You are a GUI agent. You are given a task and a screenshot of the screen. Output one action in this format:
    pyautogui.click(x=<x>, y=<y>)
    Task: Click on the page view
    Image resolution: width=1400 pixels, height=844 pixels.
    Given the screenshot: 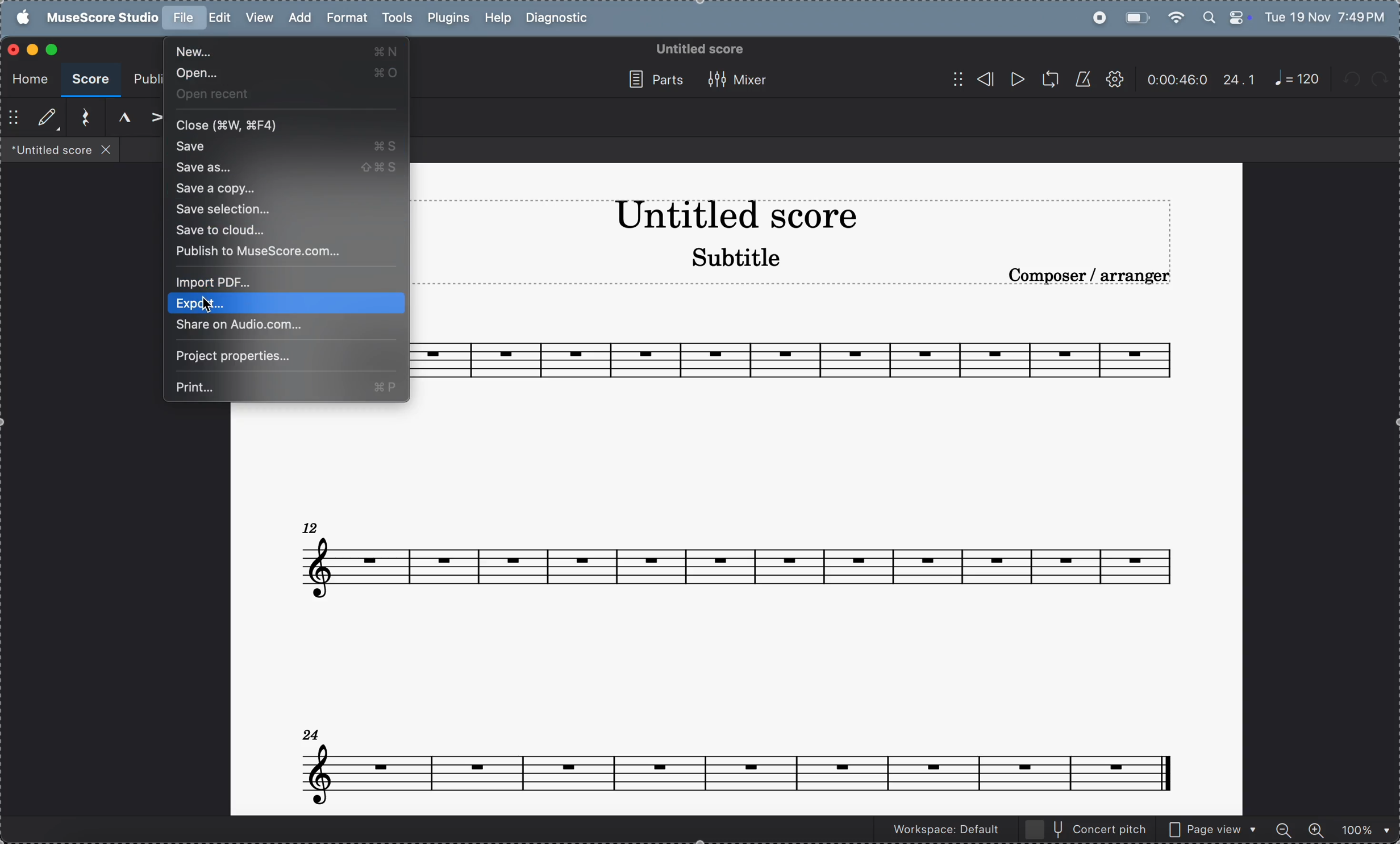 What is the action you would take?
    pyautogui.click(x=1213, y=828)
    